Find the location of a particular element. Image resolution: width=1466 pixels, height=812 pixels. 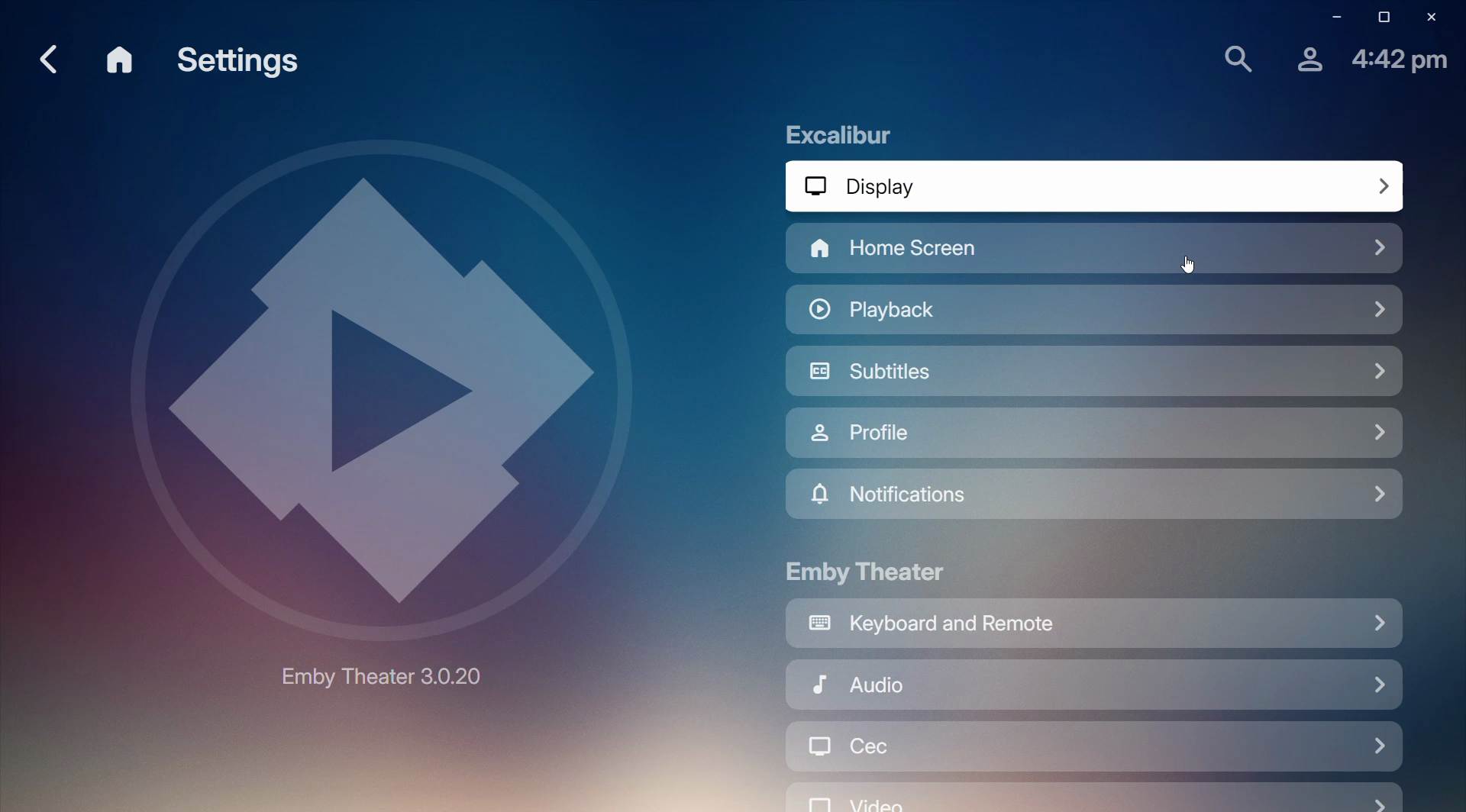

Profile  is located at coordinates (1099, 435).